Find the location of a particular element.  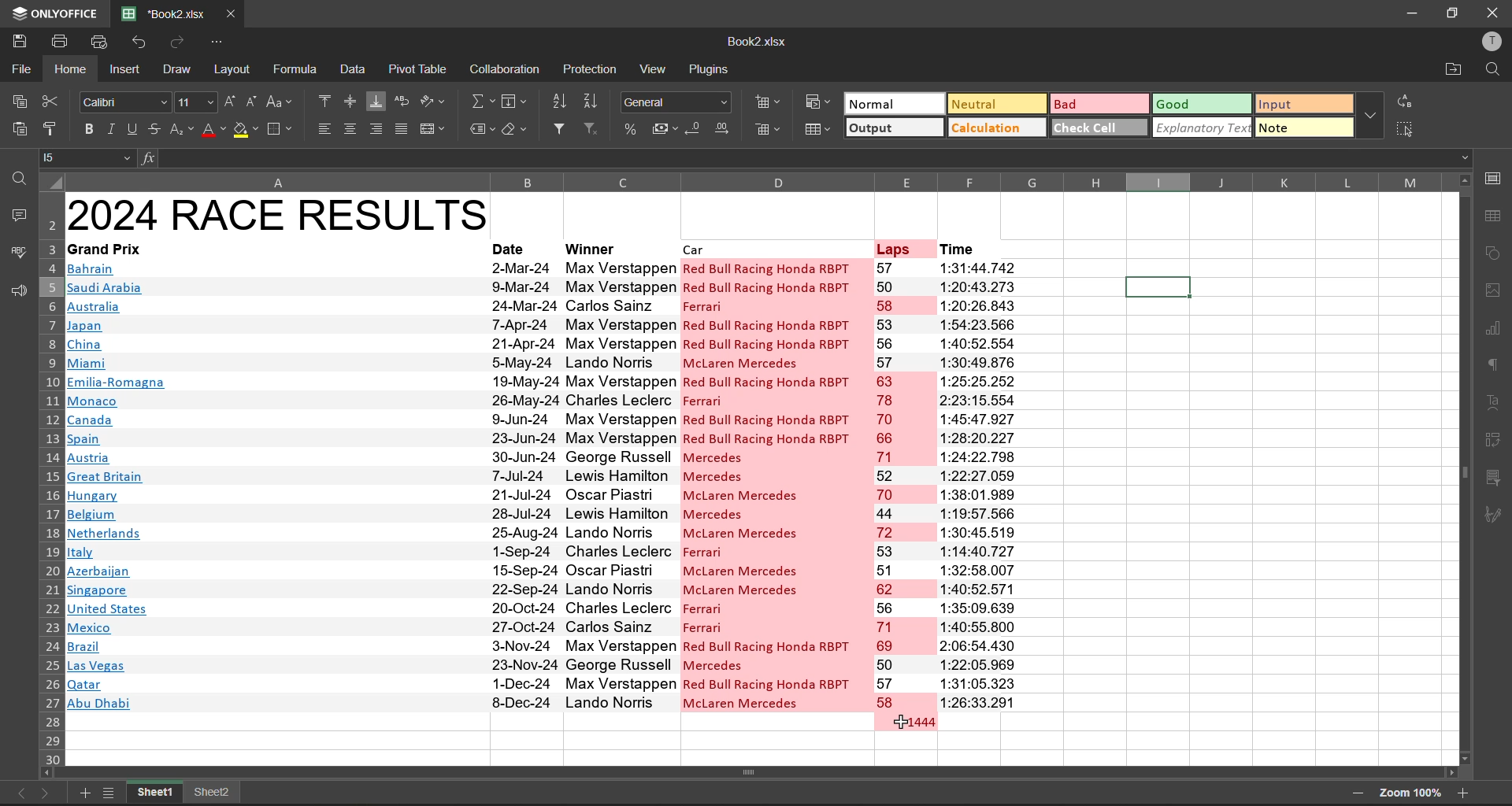

conditional formatting is located at coordinates (818, 106).